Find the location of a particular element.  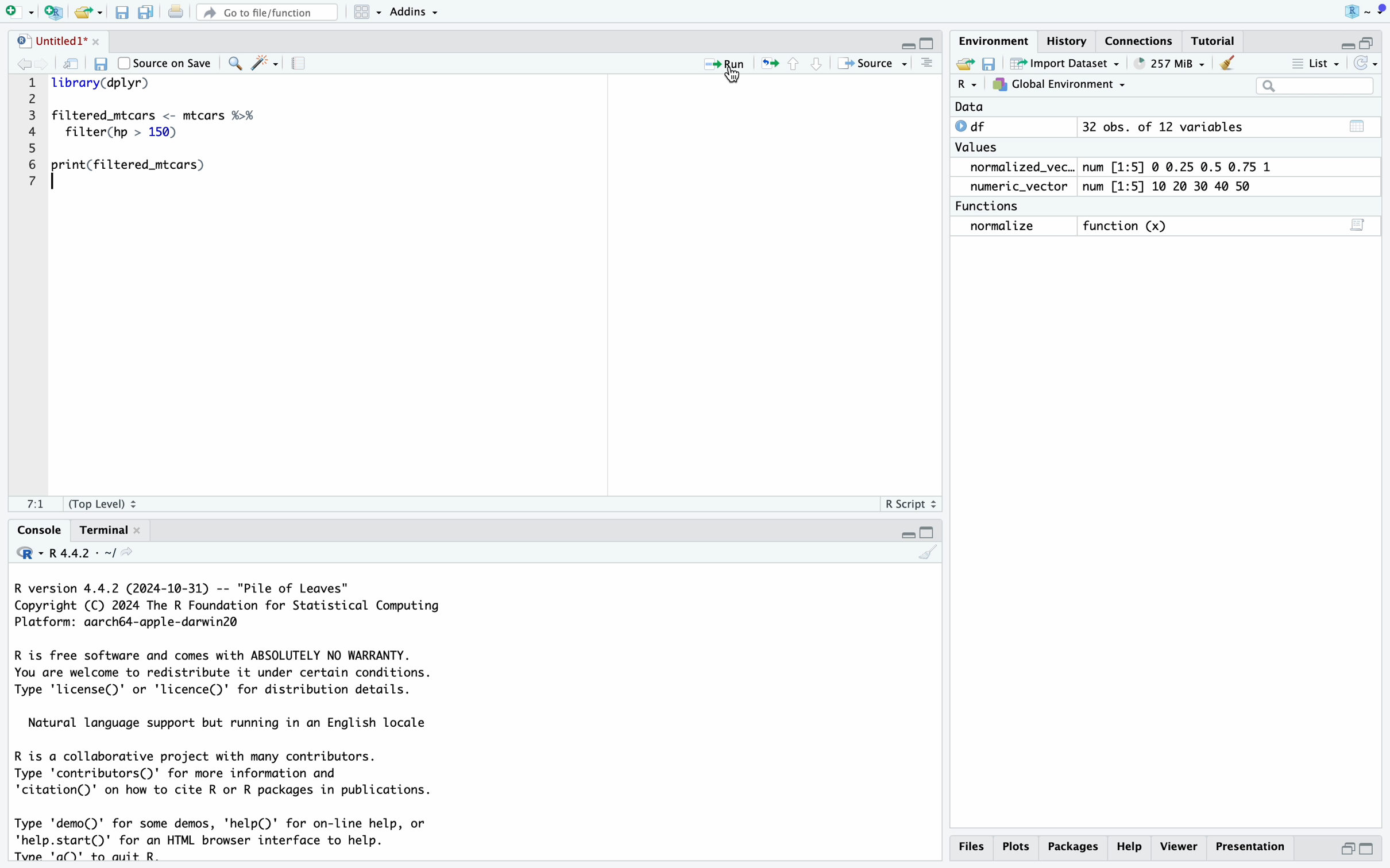

Workspace panes is located at coordinates (363, 13).